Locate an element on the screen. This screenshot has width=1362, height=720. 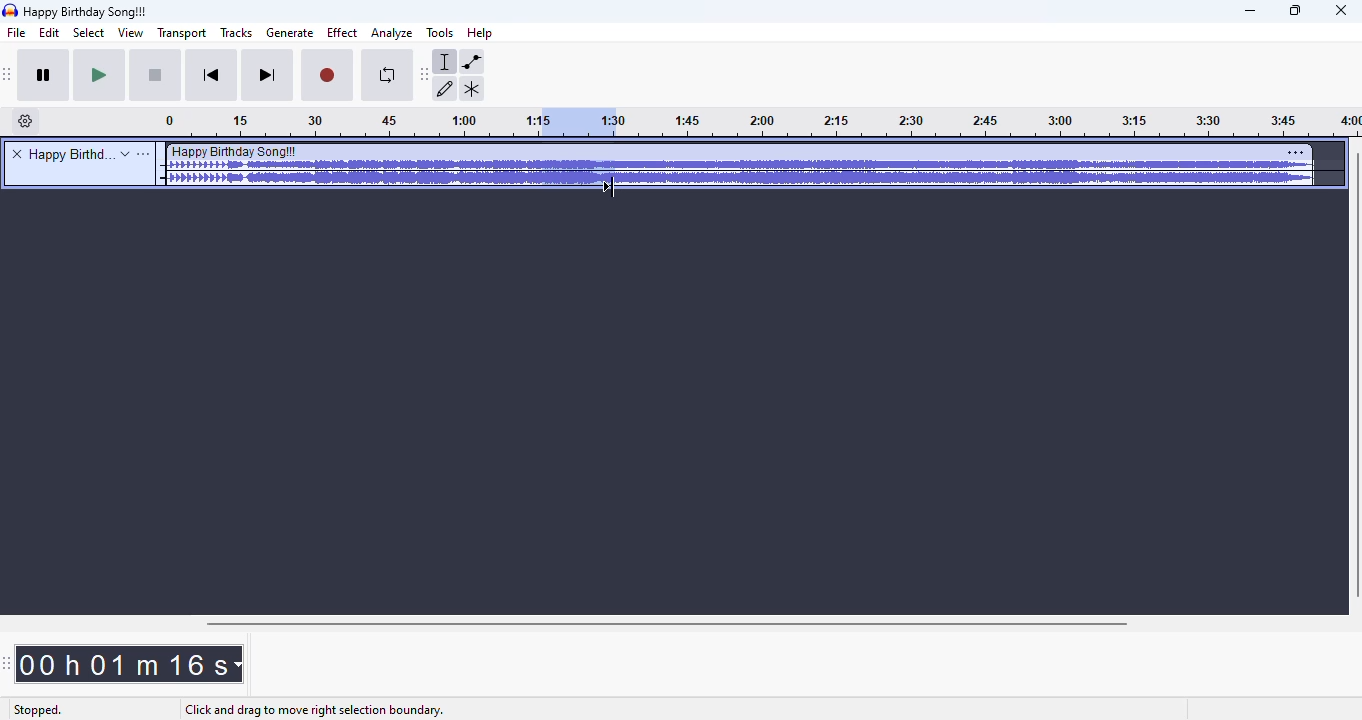
draw tool is located at coordinates (446, 89).